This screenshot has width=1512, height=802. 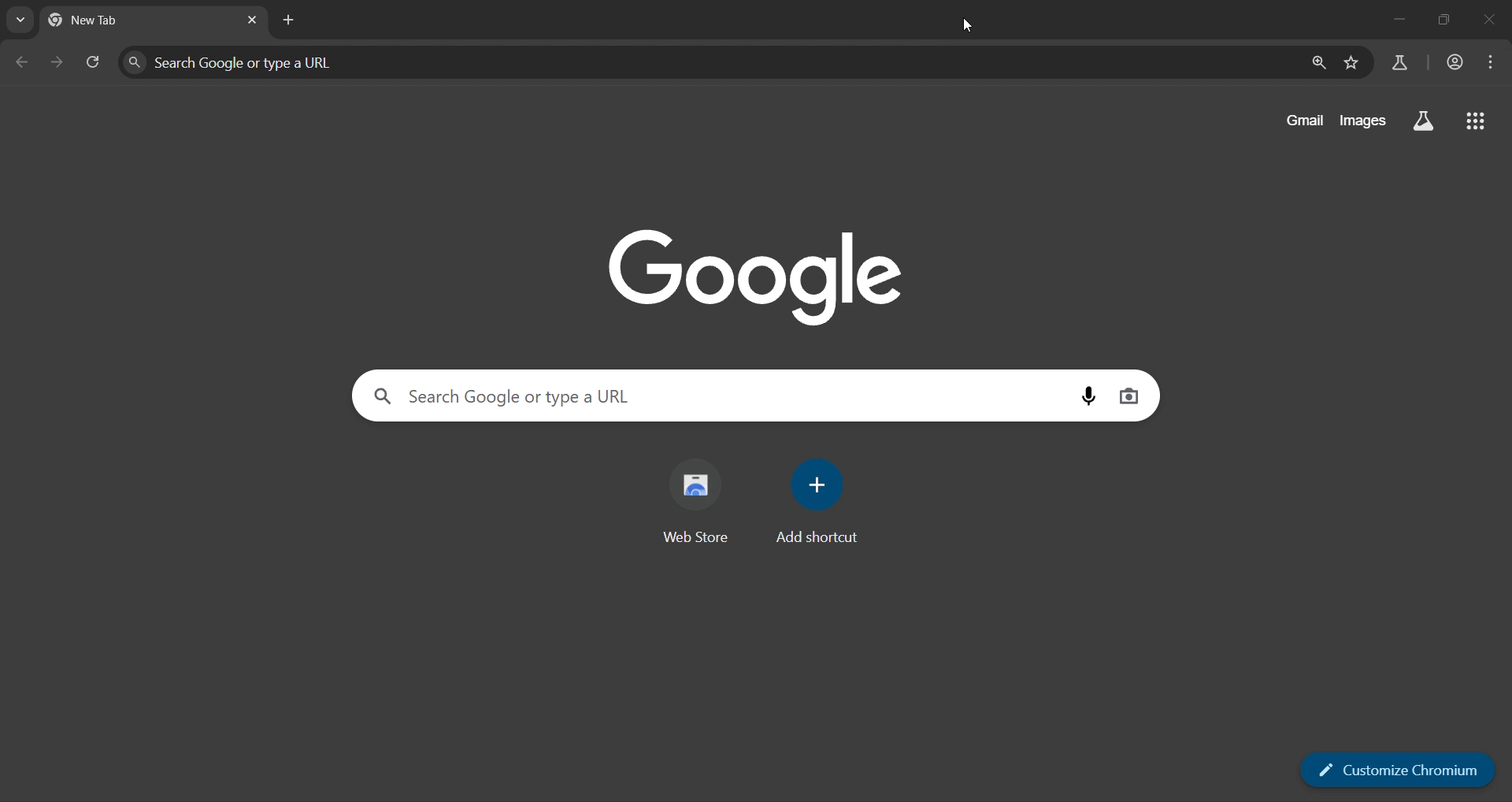 I want to click on menu, so click(x=1494, y=63).